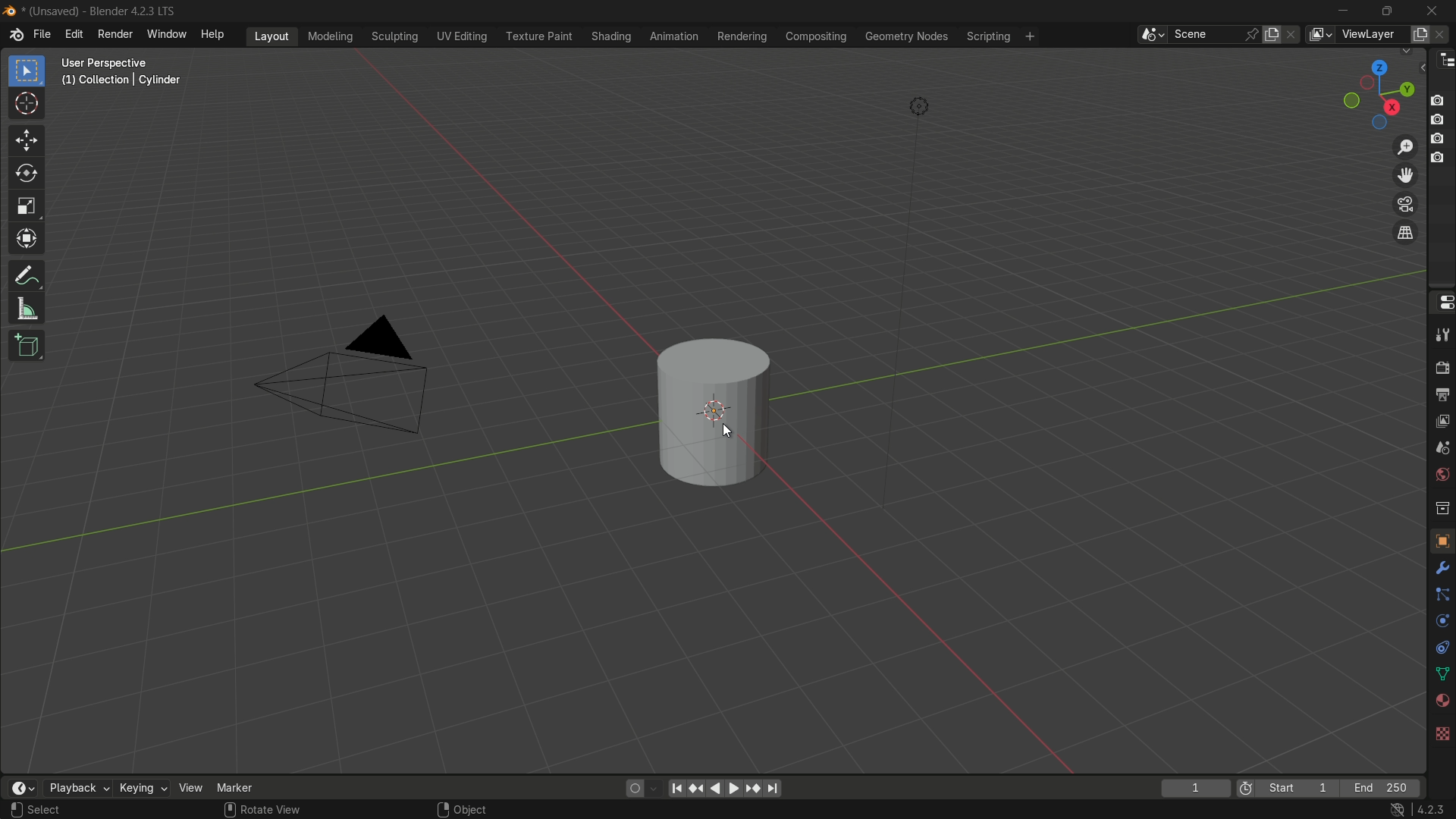 This screenshot has height=819, width=1456. What do you see at coordinates (123, 62) in the screenshot?
I see `User Perspective` at bounding box center [123, 62].